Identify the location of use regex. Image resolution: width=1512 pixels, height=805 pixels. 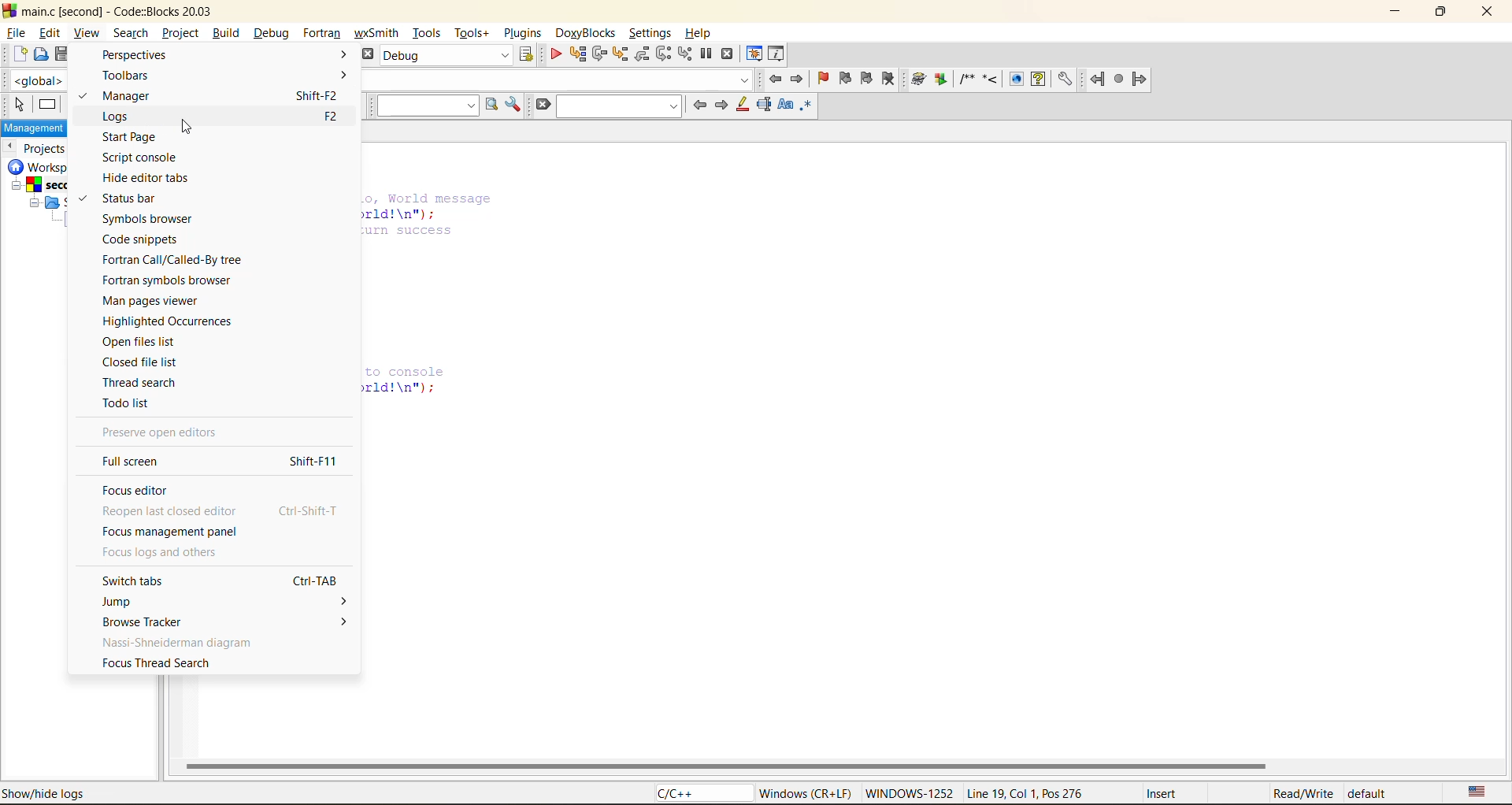
(807, 108).